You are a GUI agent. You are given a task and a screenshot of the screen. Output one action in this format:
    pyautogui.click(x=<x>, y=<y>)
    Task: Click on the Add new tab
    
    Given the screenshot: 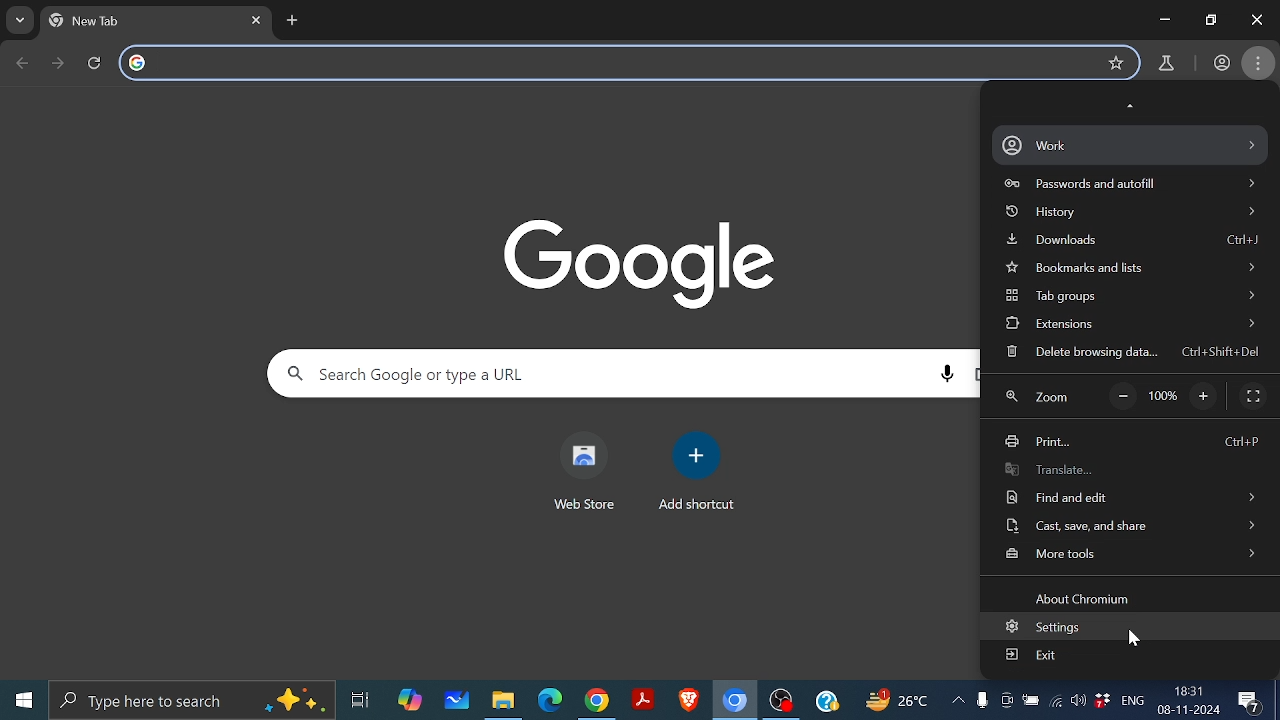 What is the action you would take?
    pyautogui.click(x=293, y=20)
    